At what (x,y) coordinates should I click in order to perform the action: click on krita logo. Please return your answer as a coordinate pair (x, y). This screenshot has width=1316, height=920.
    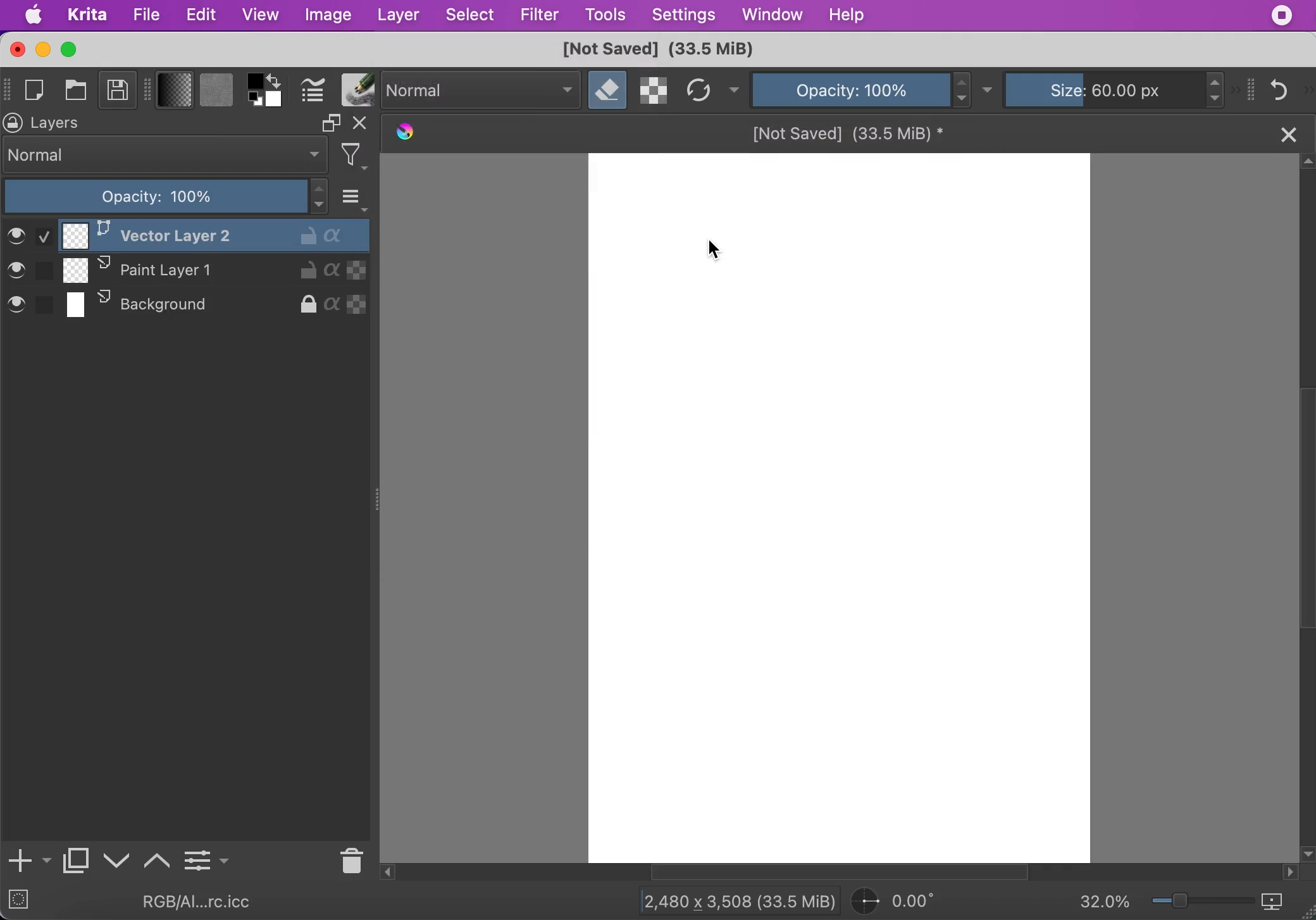
    Looking at the image, I should click on (403, 134).